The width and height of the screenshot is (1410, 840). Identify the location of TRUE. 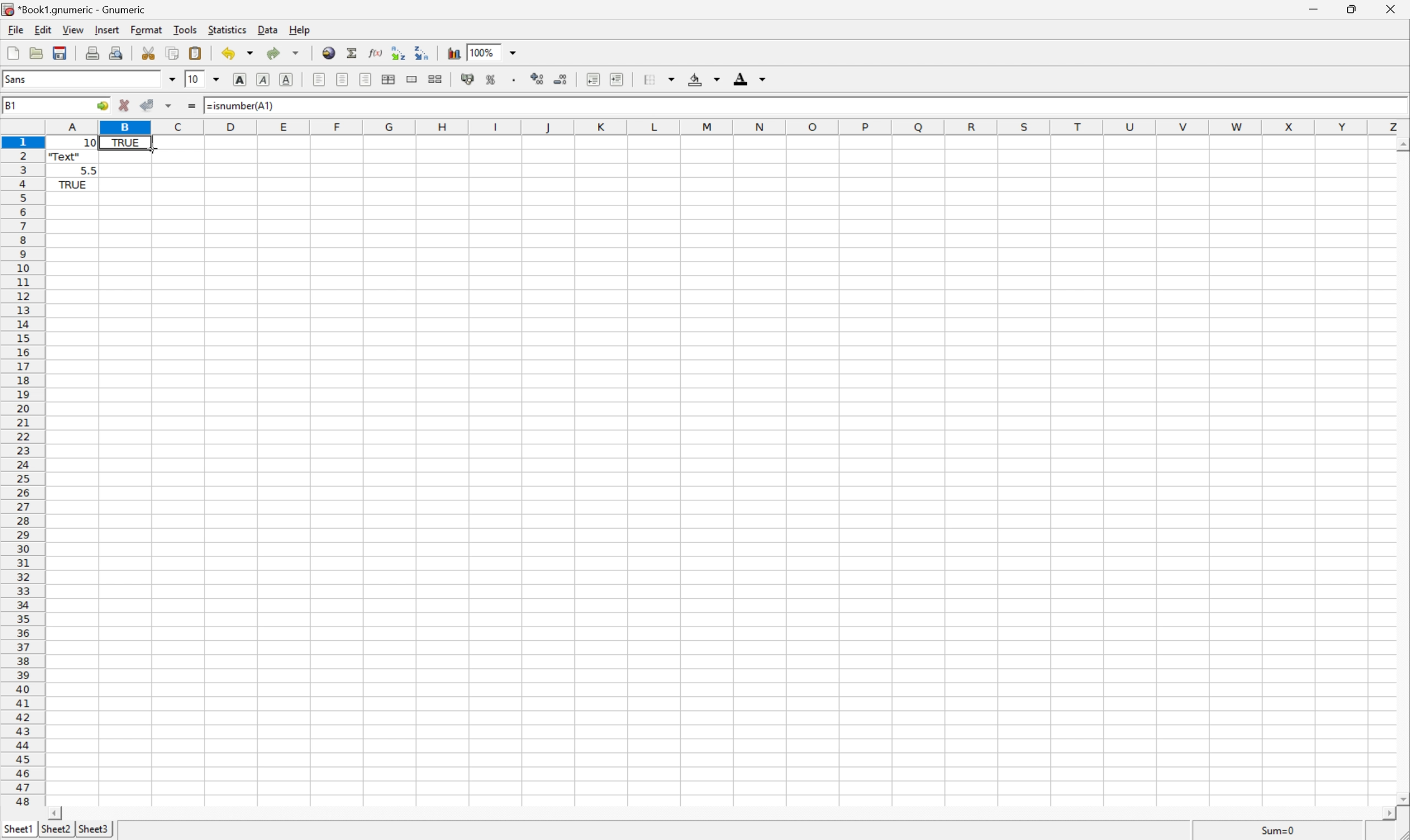
(72, 186).